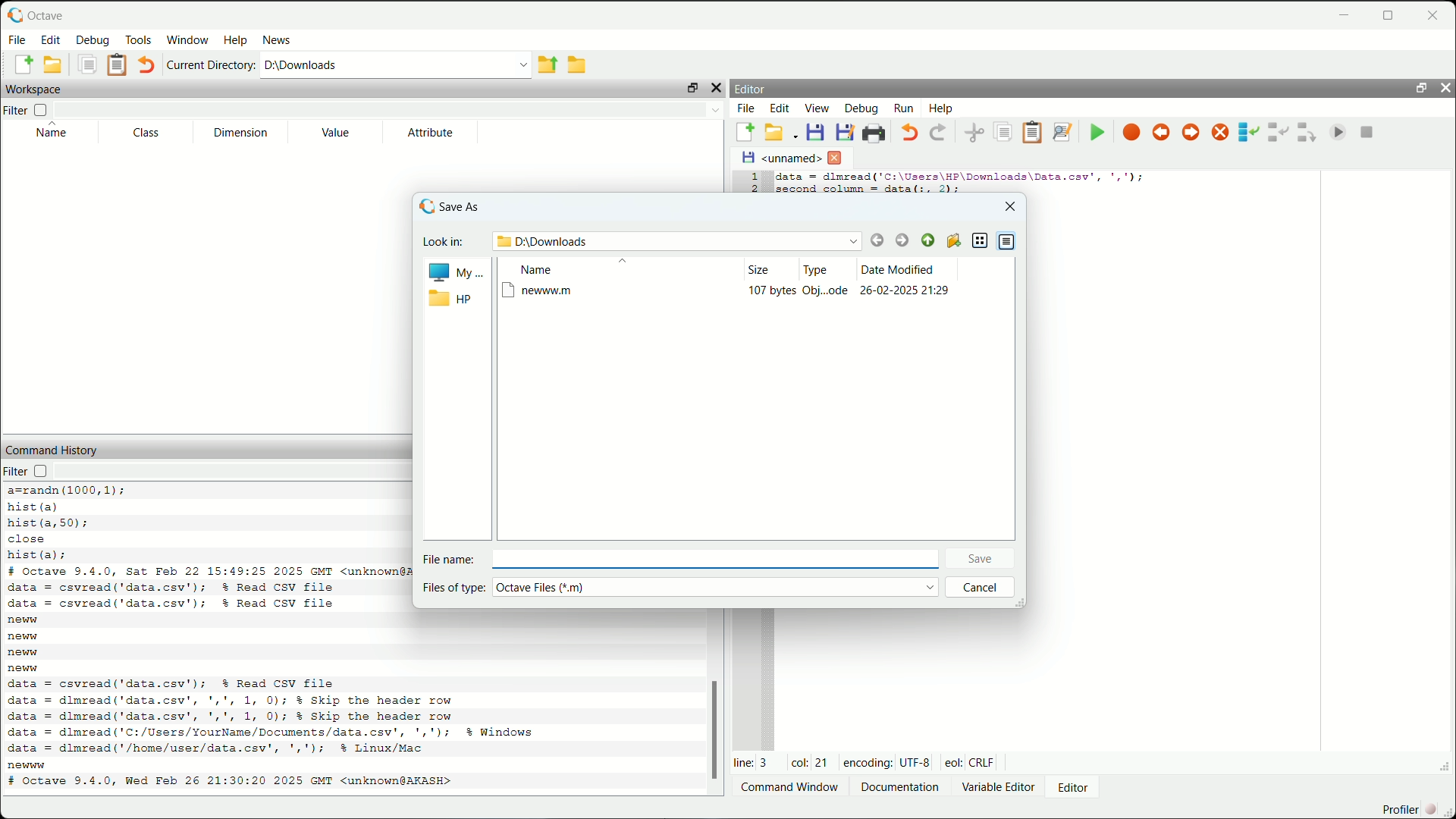 This screenshot has height=819, width=1456. What do you see at coordinates (781, 135) in the screenshot?
I see `open an existing file in editor` at bounding box center [781, 135].